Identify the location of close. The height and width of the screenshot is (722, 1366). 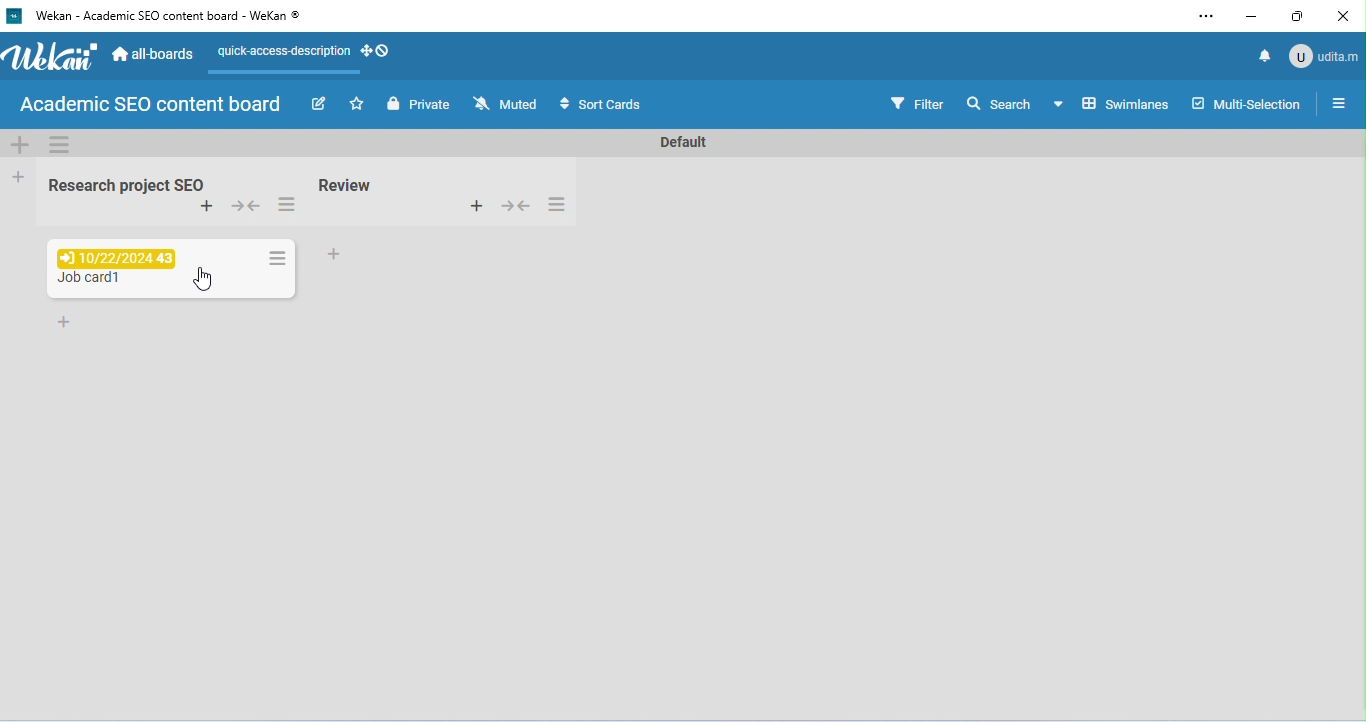
(1340, 17).